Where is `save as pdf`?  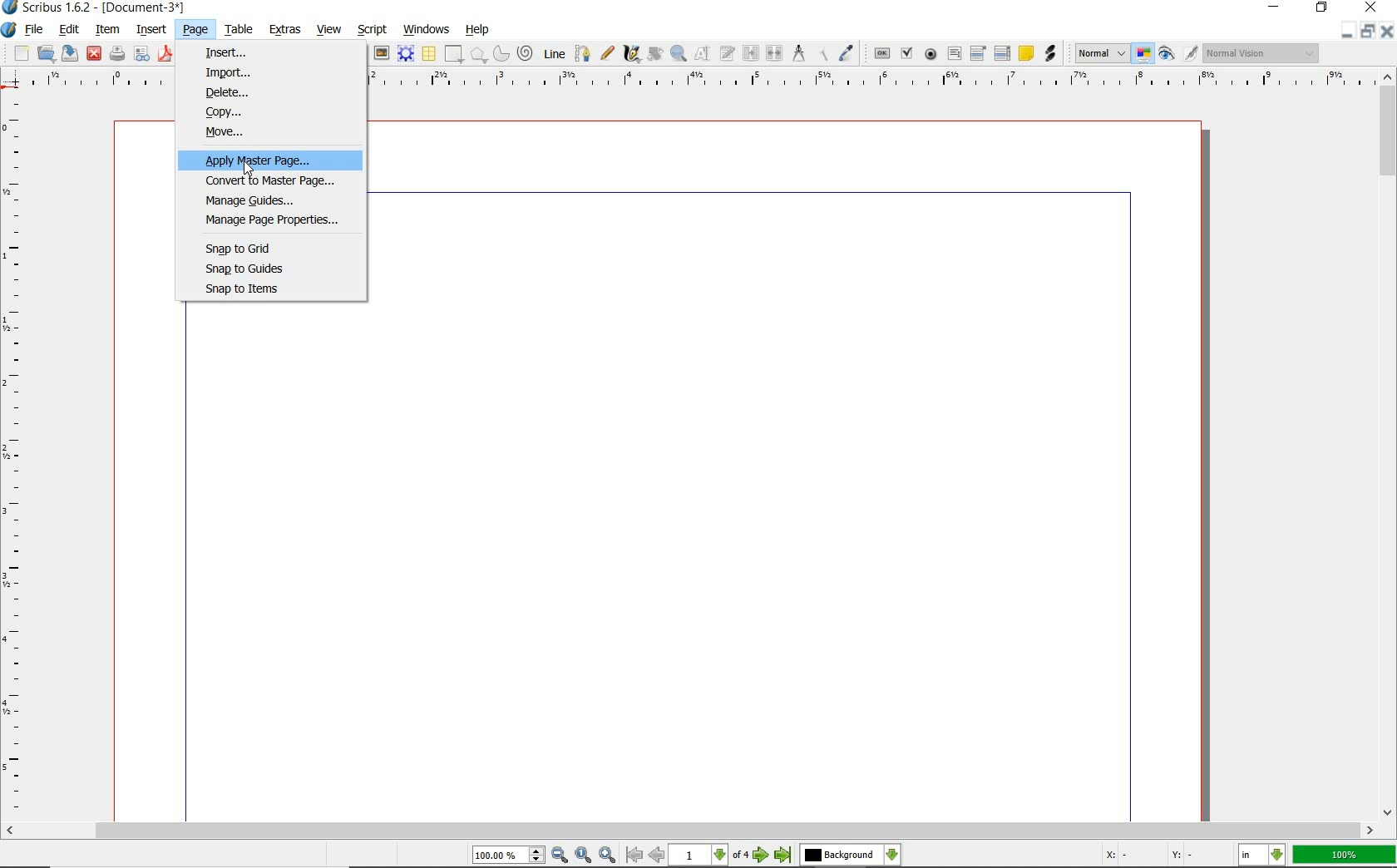 save as pdf is located at coordinates (165, 55).